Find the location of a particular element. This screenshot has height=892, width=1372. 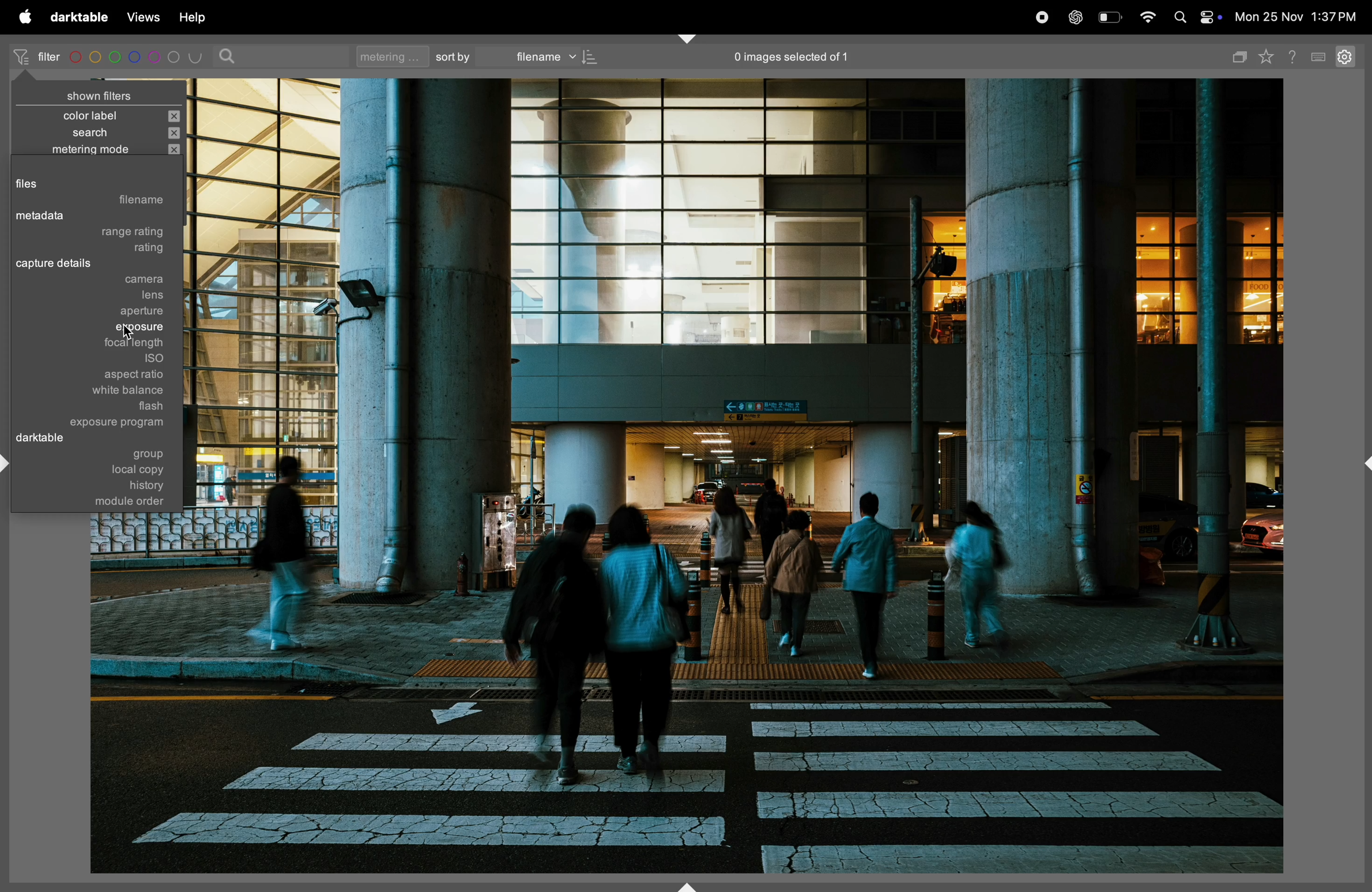

sort by is located at coordinates (454, 56).